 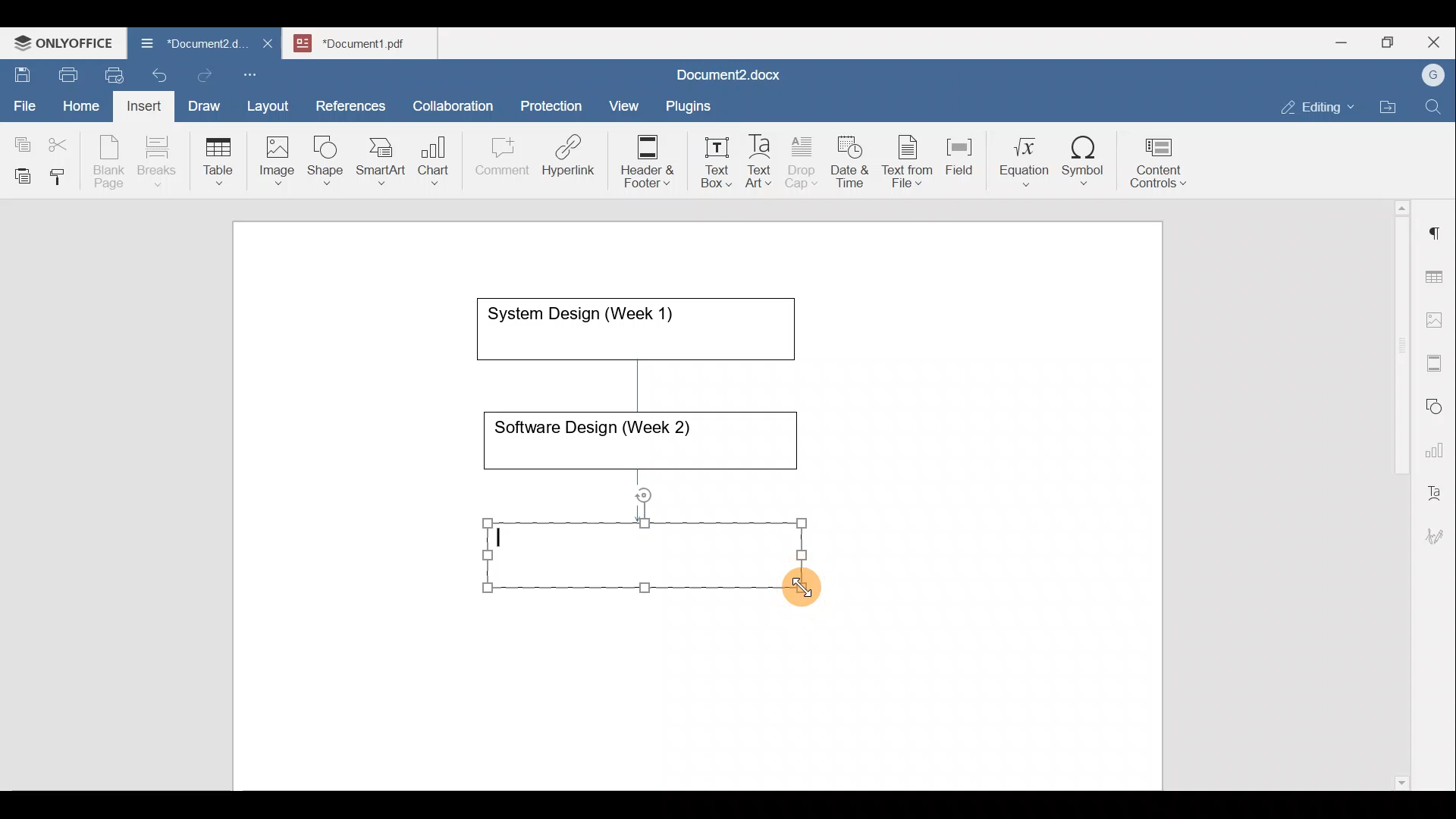 I want to click on Hyperlink, so click(x=573, y=160).